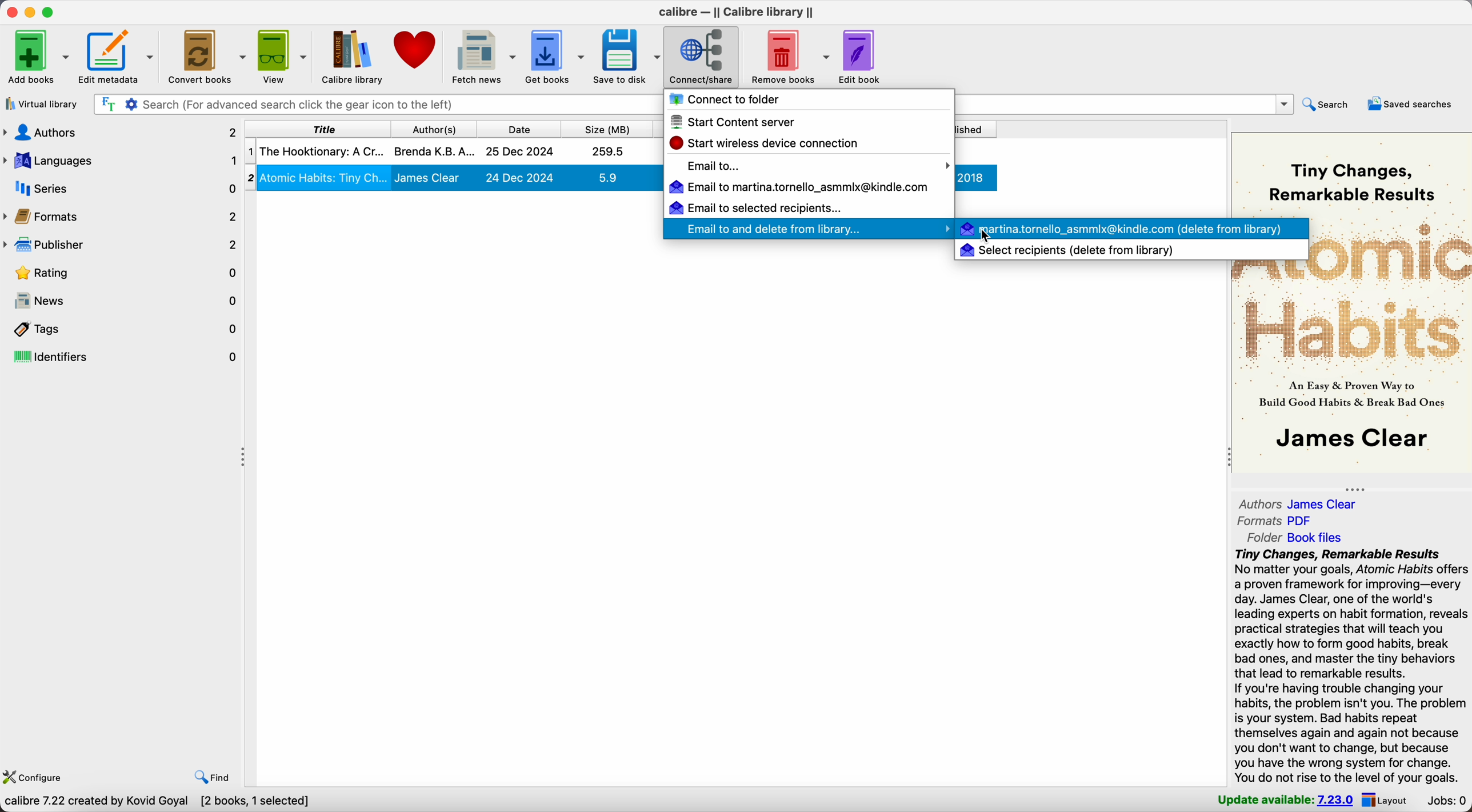 The image size is (1472, 812). Describe the element at coordinates (428, 178) in the screenshot. I see `James Clear` at that location.